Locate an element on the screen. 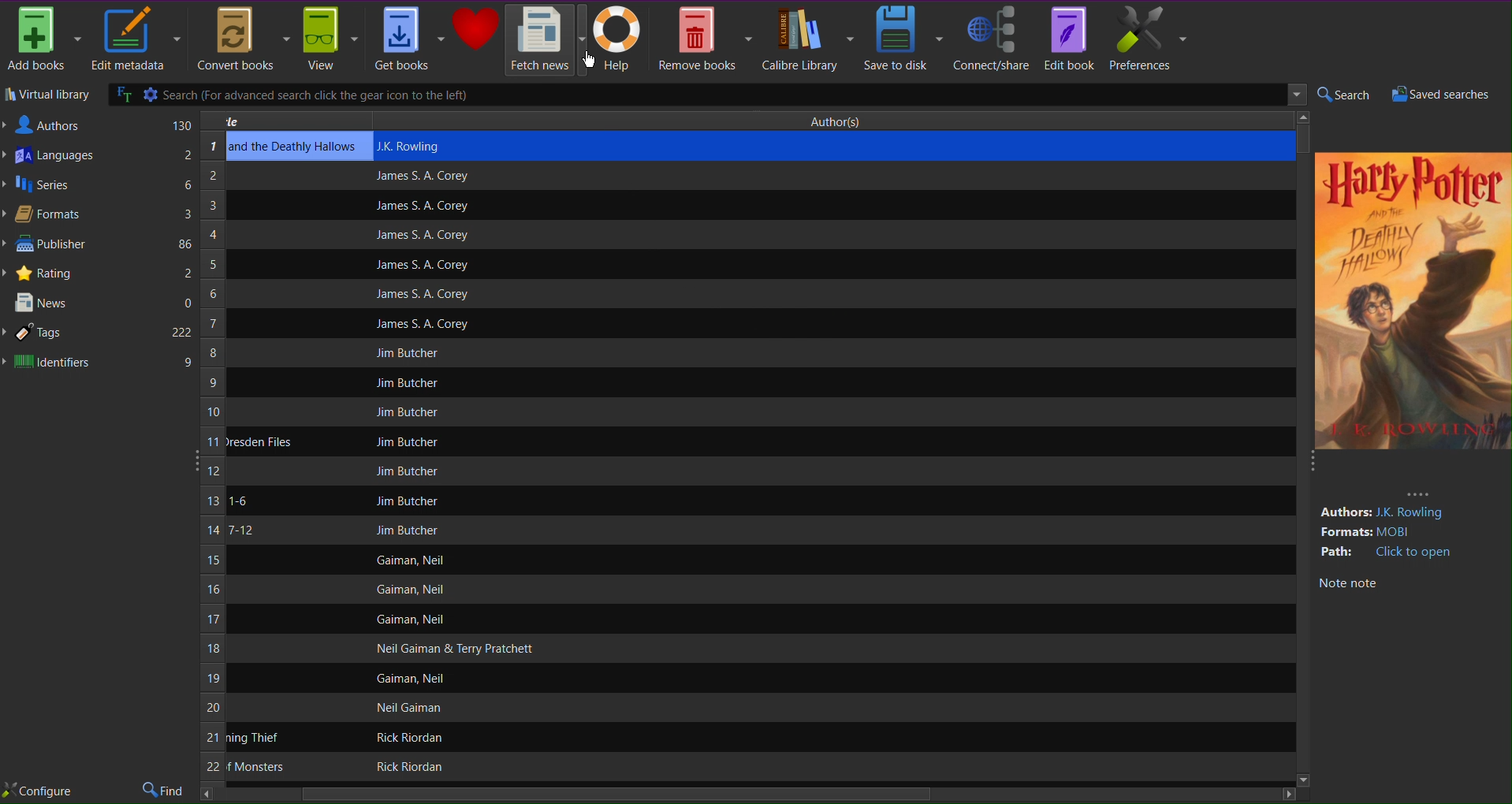 The width and height of the screenshot is (1512, 804). Add books is located at coordinates (43, 39).